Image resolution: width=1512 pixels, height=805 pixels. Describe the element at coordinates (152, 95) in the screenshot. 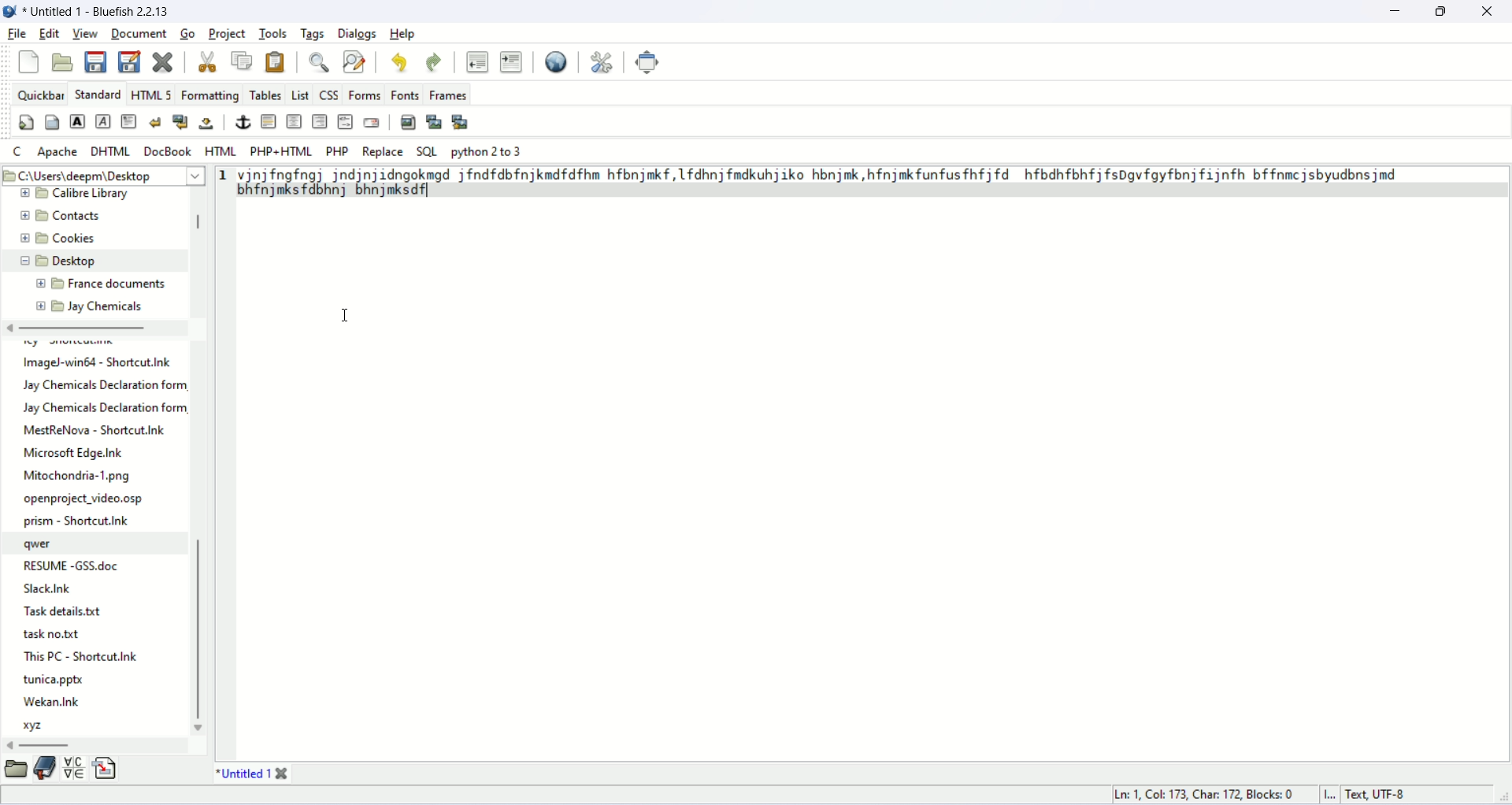

I see `HTML 5` at that location.